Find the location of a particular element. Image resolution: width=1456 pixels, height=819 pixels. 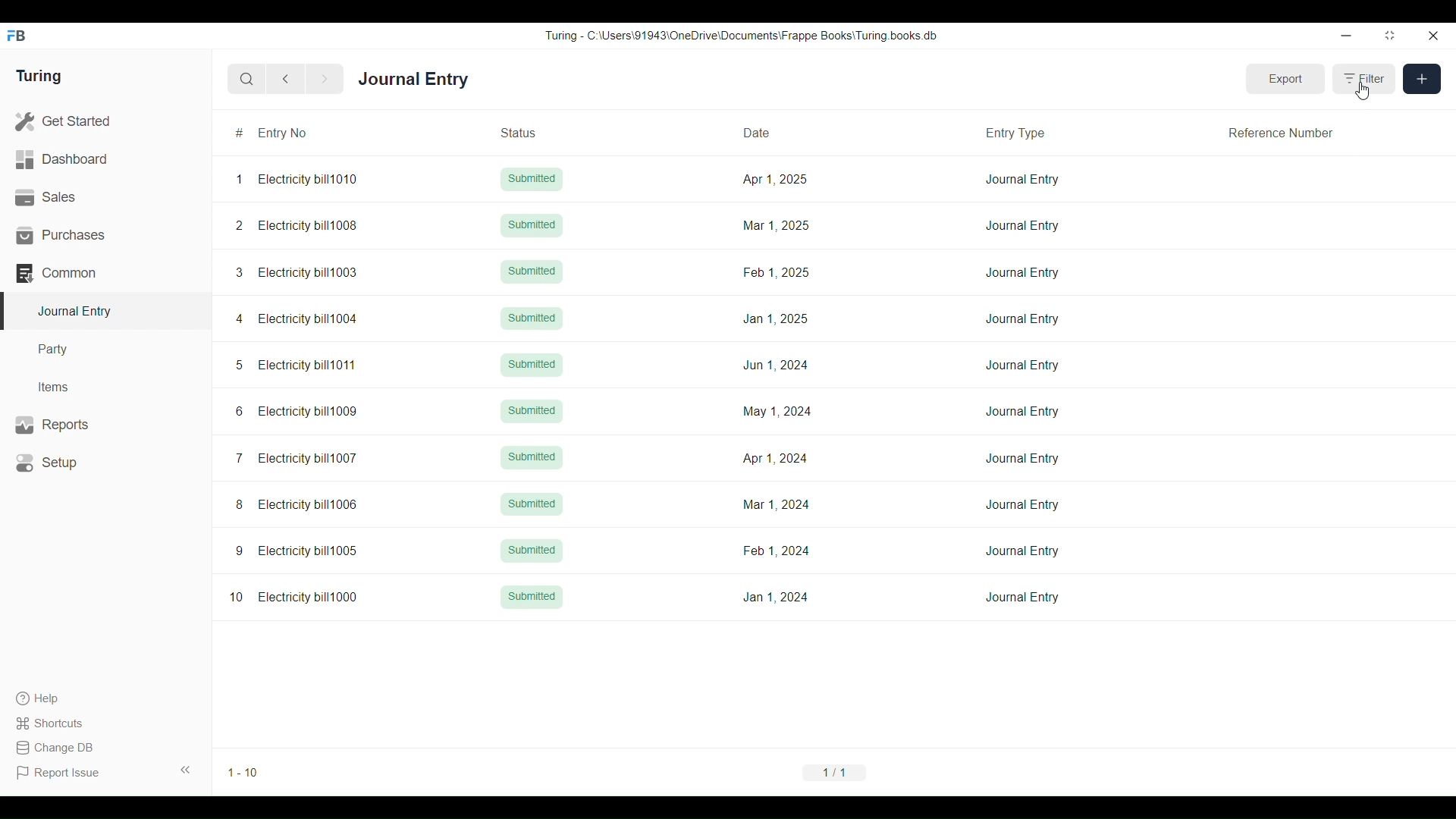

7 Electricity bill1007 is located at coordinates (296, 458).